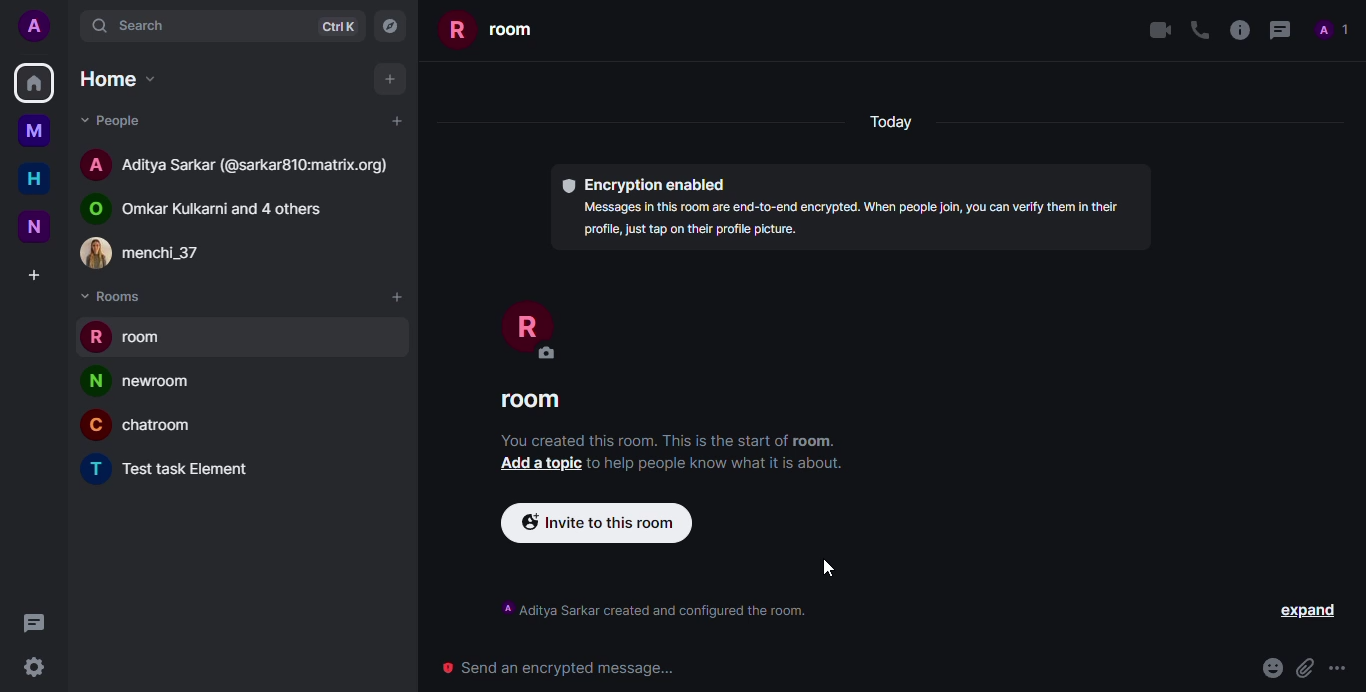  Describe the element at coordinates (34, 623) in the screenshot. I see `threads` at that location.